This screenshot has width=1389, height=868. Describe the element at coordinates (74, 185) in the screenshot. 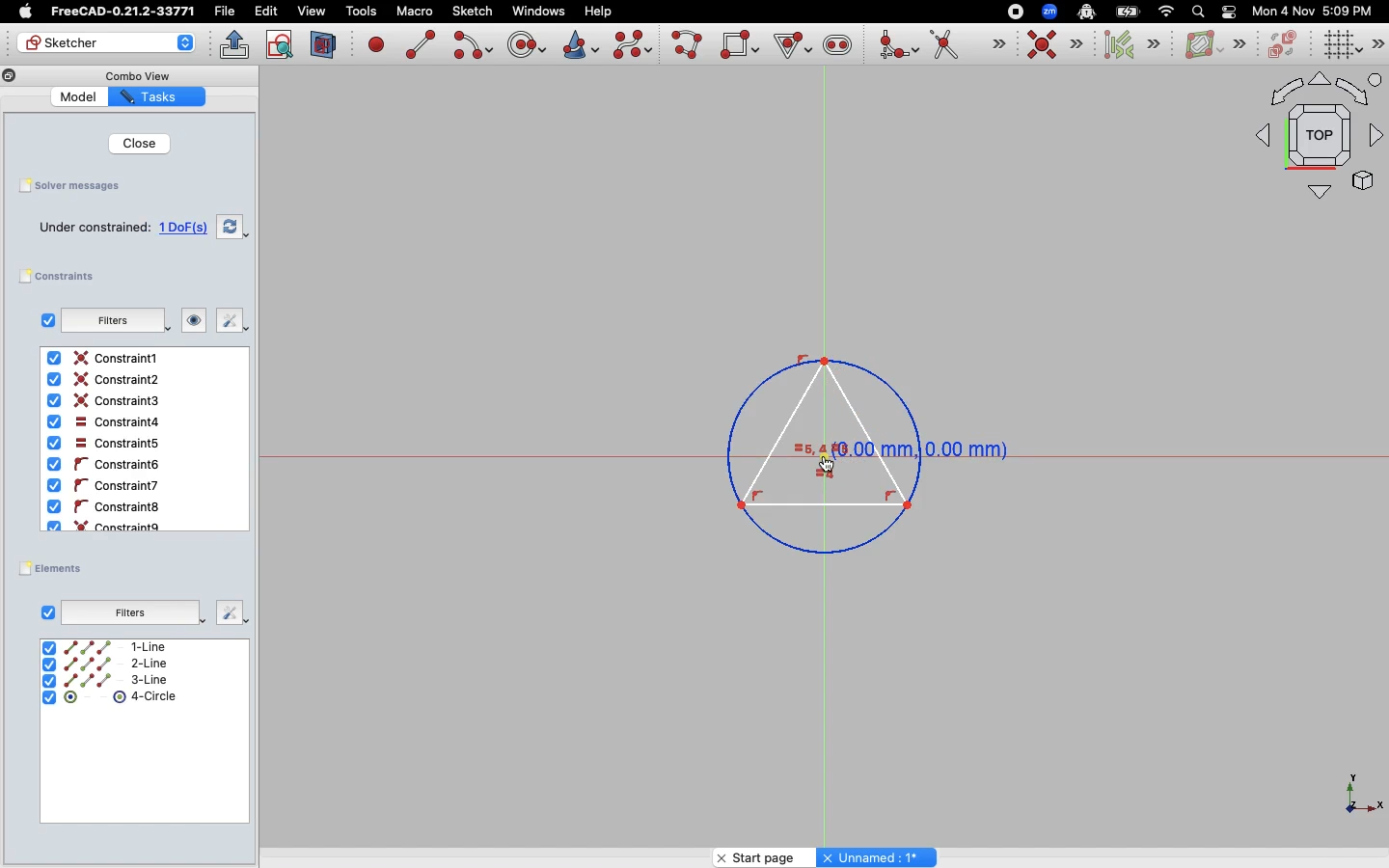

I see `Solver messages` at that location.